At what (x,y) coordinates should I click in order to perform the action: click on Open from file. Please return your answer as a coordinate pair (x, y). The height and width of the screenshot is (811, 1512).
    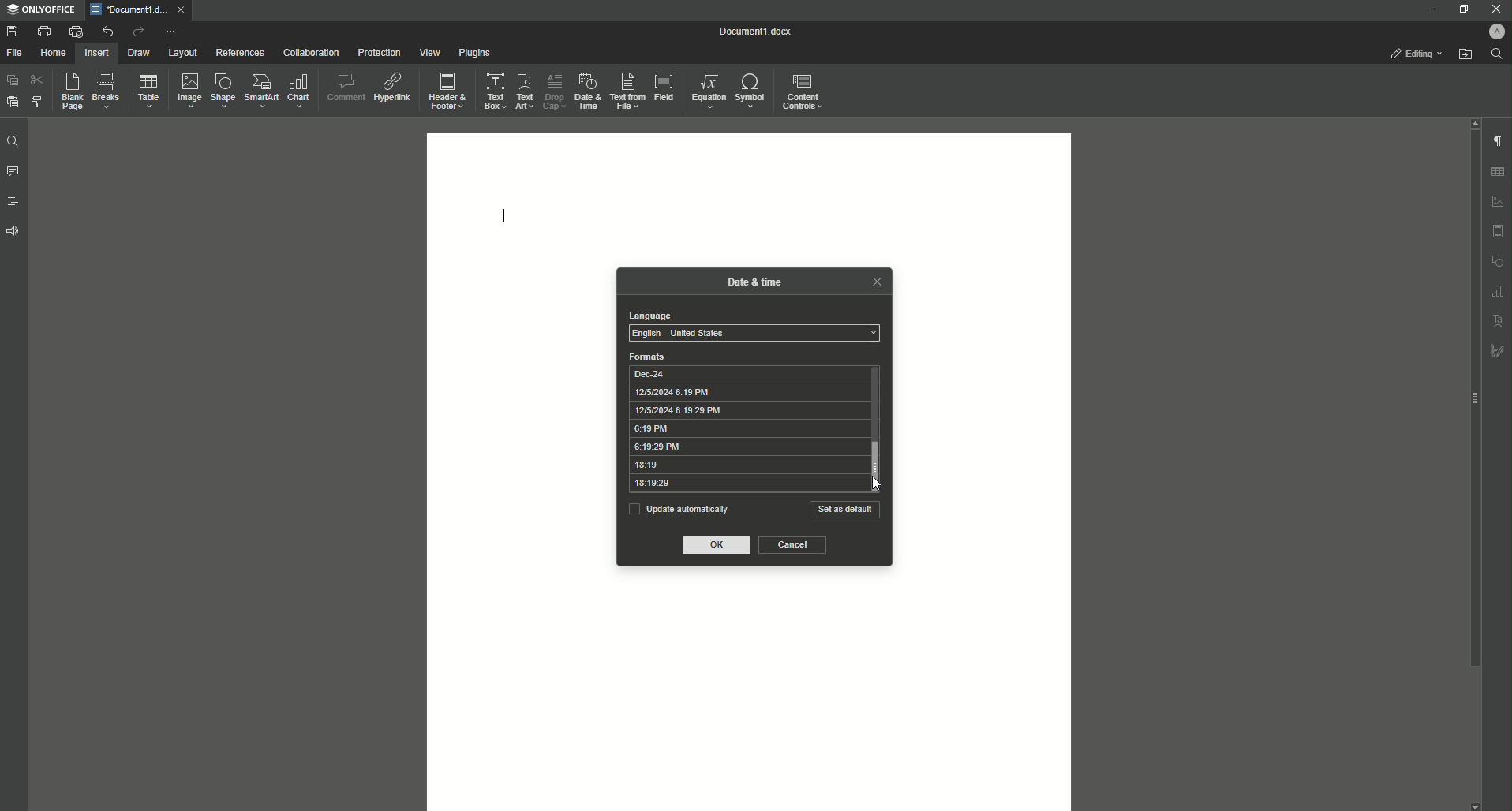
    Looking at the image, I should click on (1465, 54).